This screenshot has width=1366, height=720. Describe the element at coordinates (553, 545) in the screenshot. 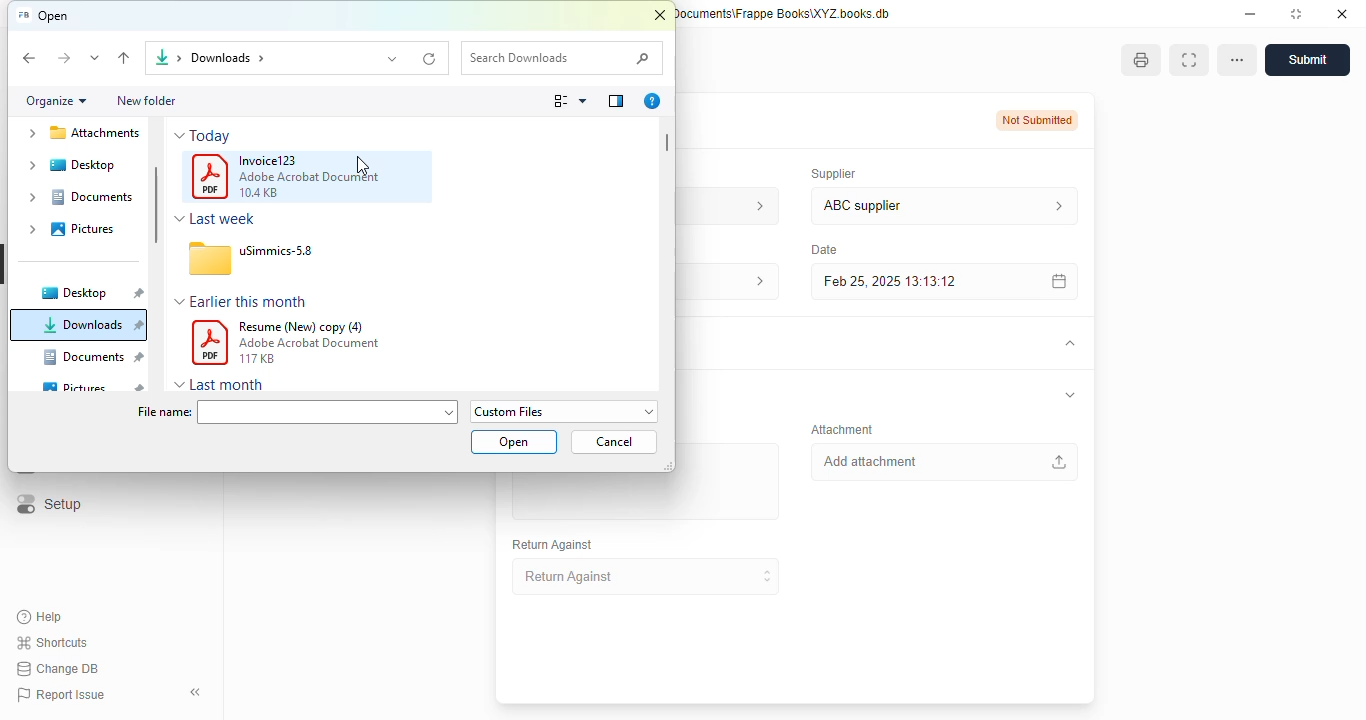

I see `return against` at that location.